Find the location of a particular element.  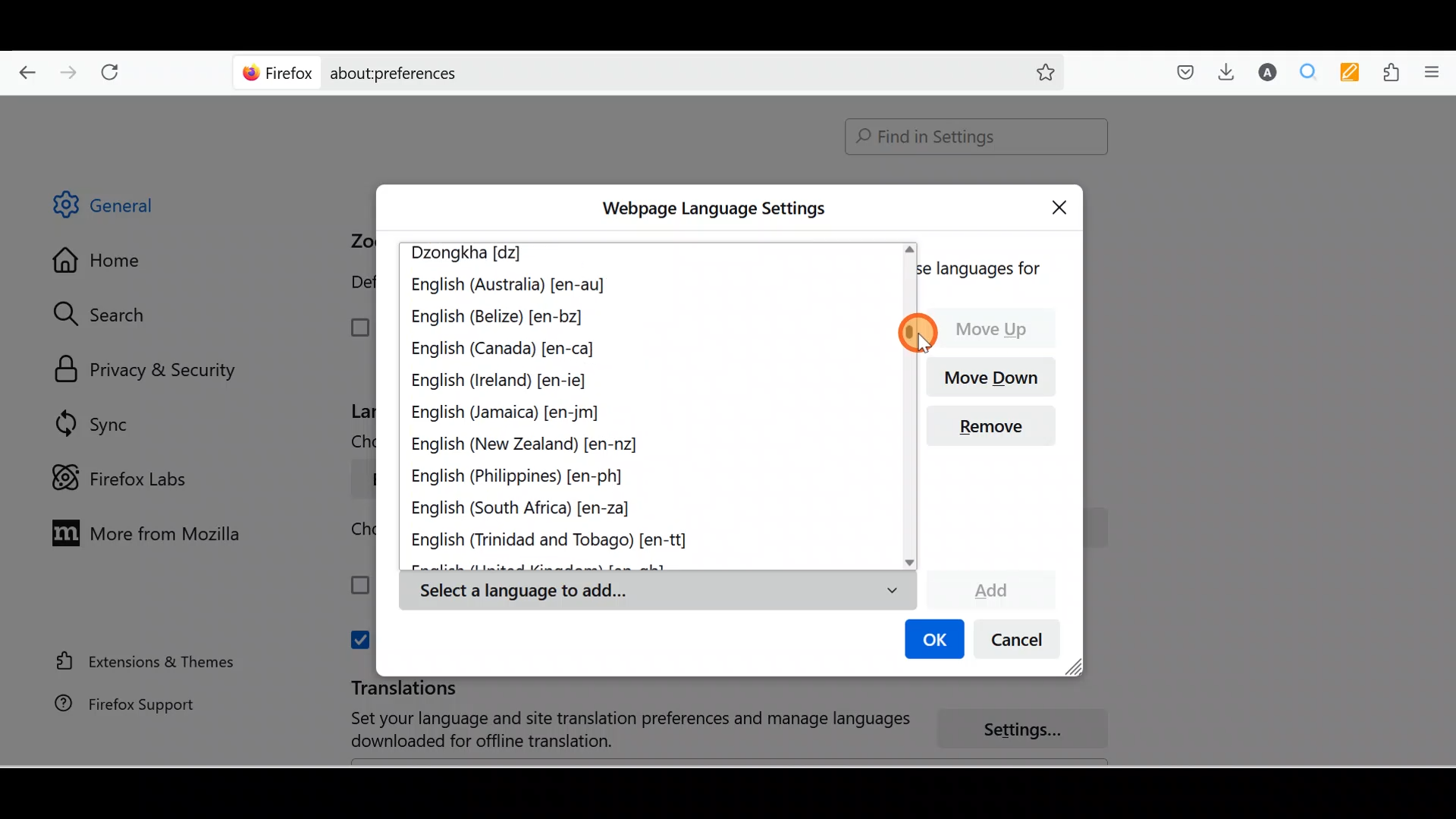

English (South Africa) [en-za] is located at coordinates (531, 510).